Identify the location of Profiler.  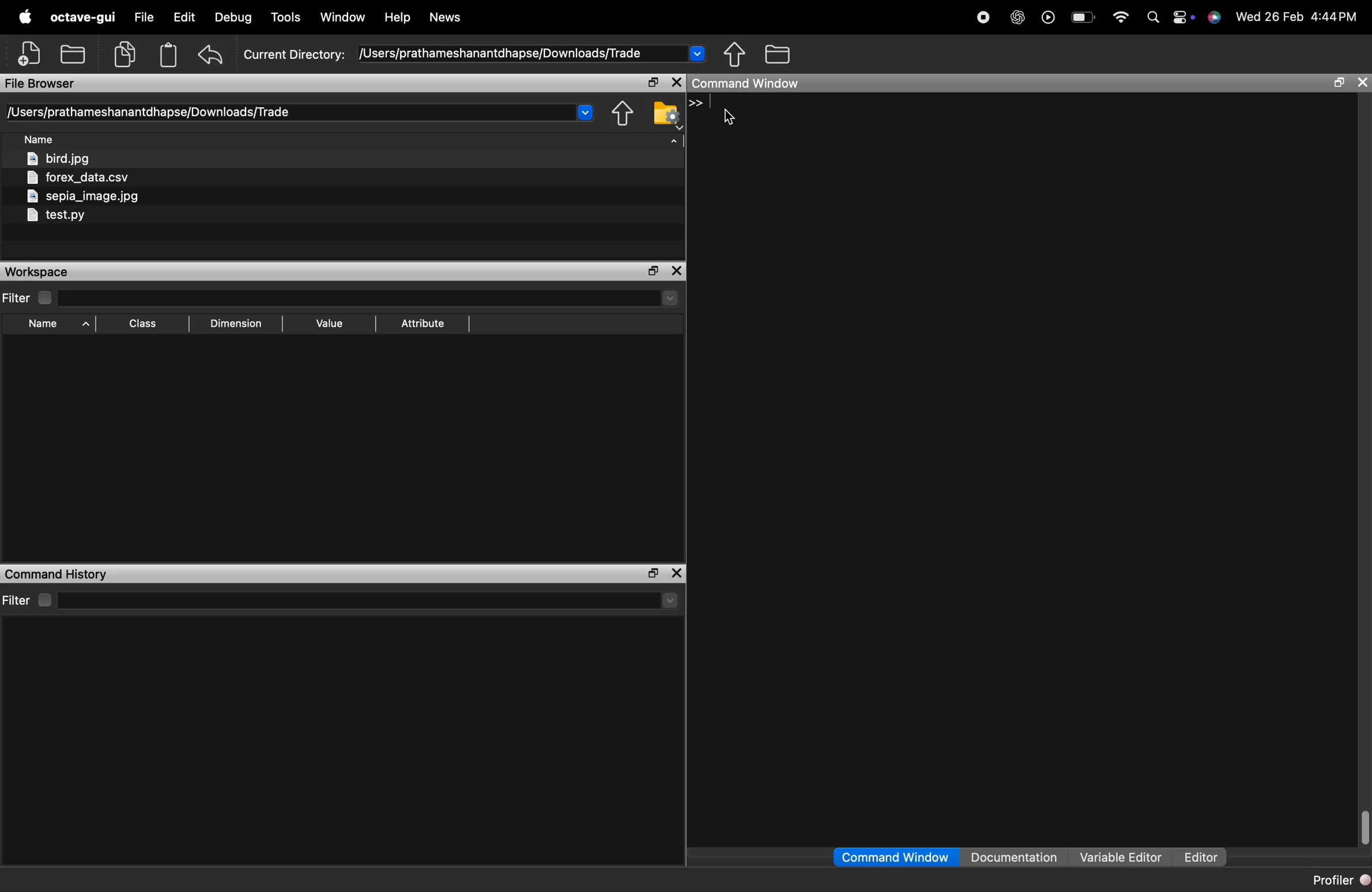
(1340, 880).